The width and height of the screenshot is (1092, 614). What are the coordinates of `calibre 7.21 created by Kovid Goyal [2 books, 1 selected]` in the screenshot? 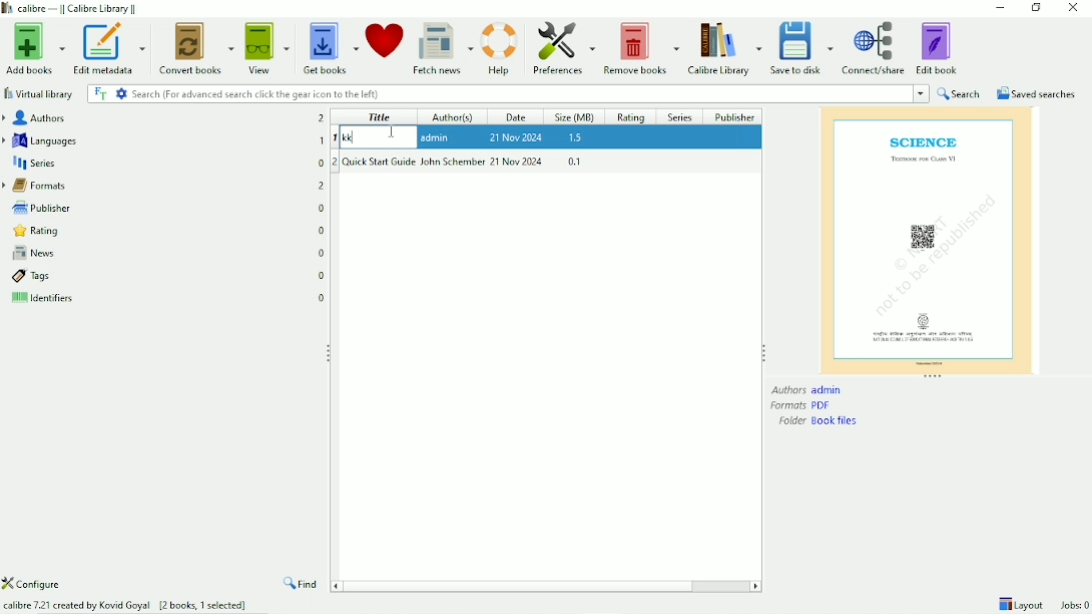 It's located at (126, 603).